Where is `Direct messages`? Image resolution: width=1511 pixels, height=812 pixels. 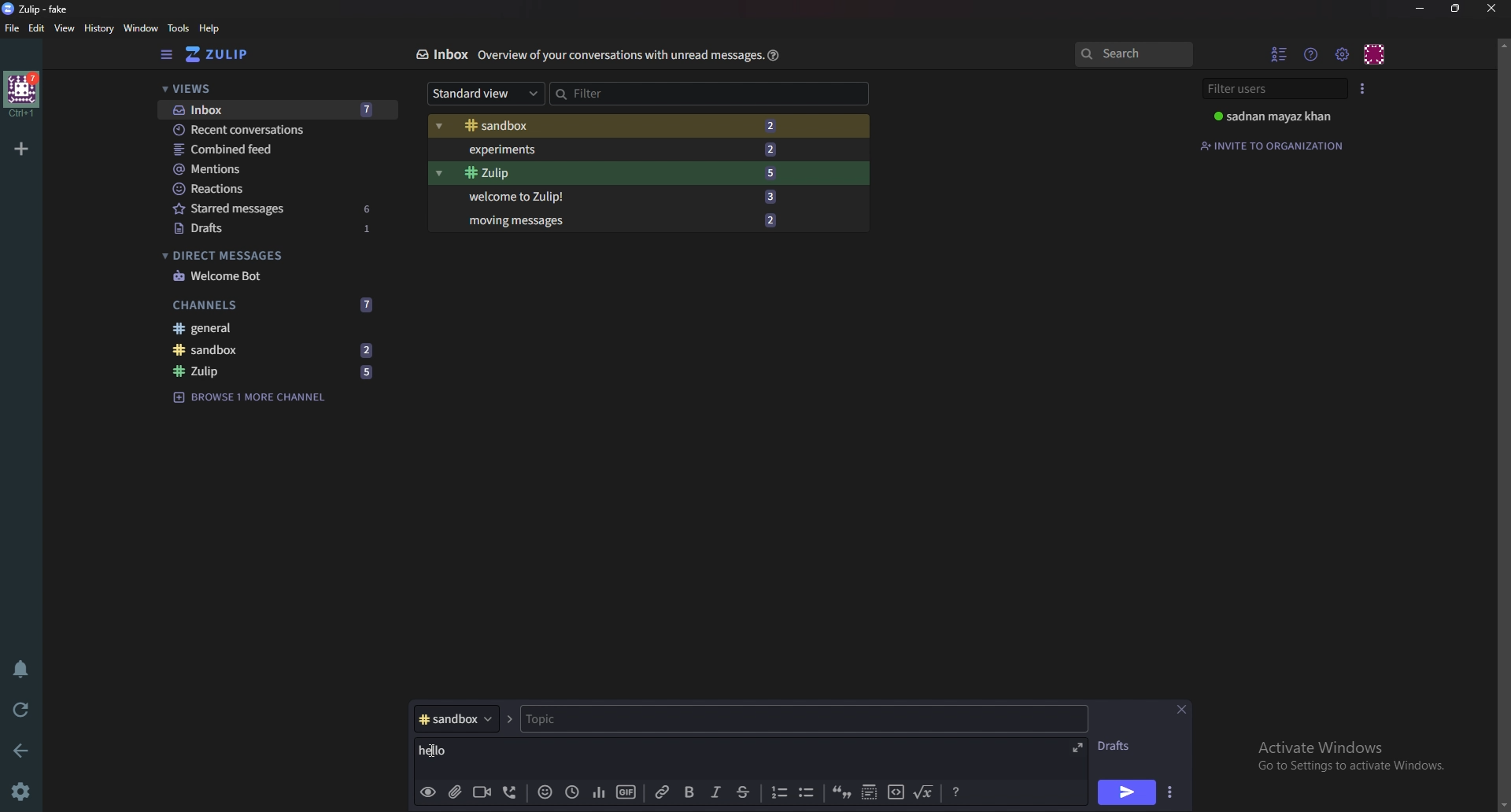 Direct messages is located at coordinates (269, 254).